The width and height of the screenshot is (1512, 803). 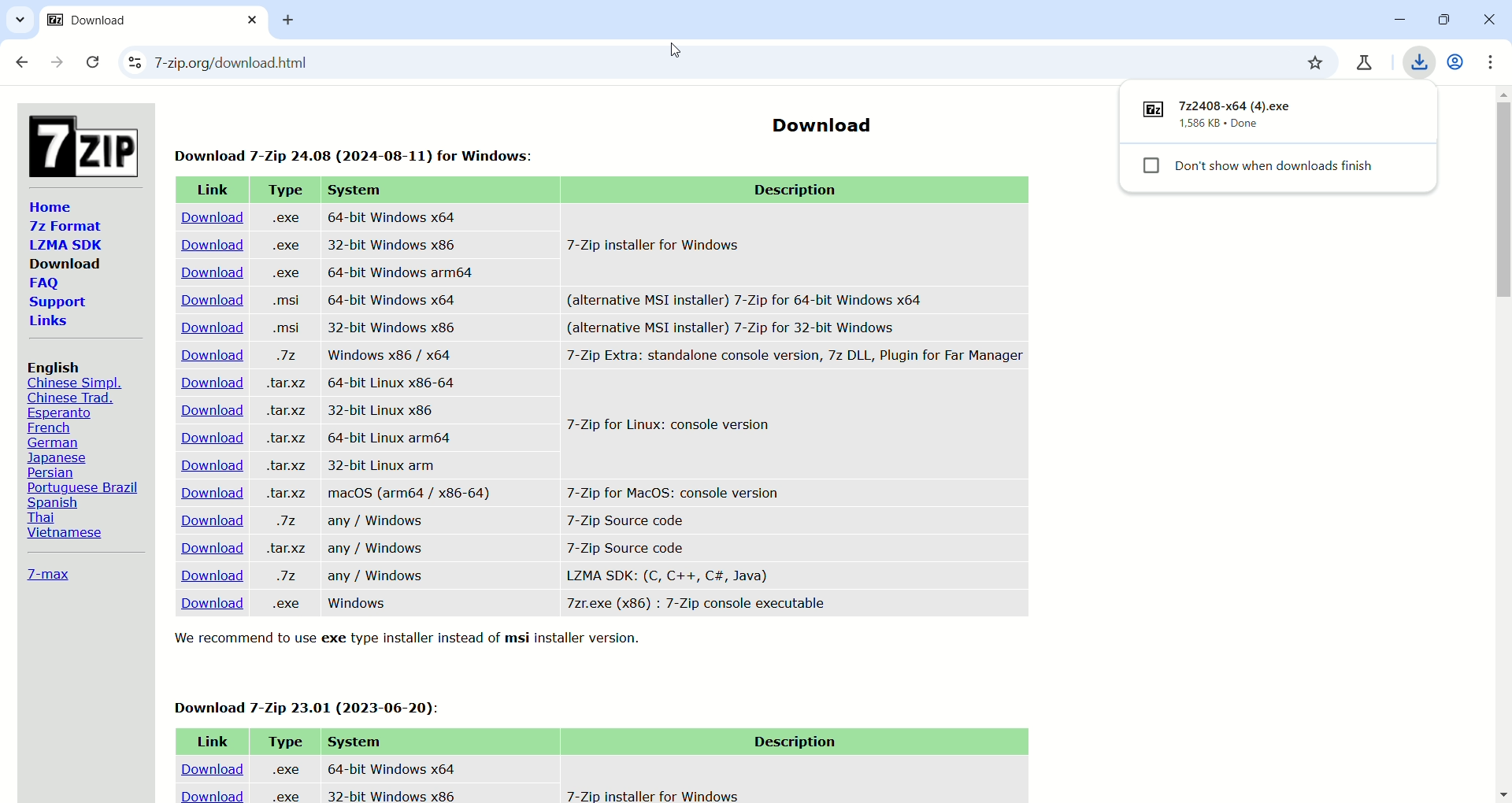 I want to click on .tarxz, so click(x=290, y=439).